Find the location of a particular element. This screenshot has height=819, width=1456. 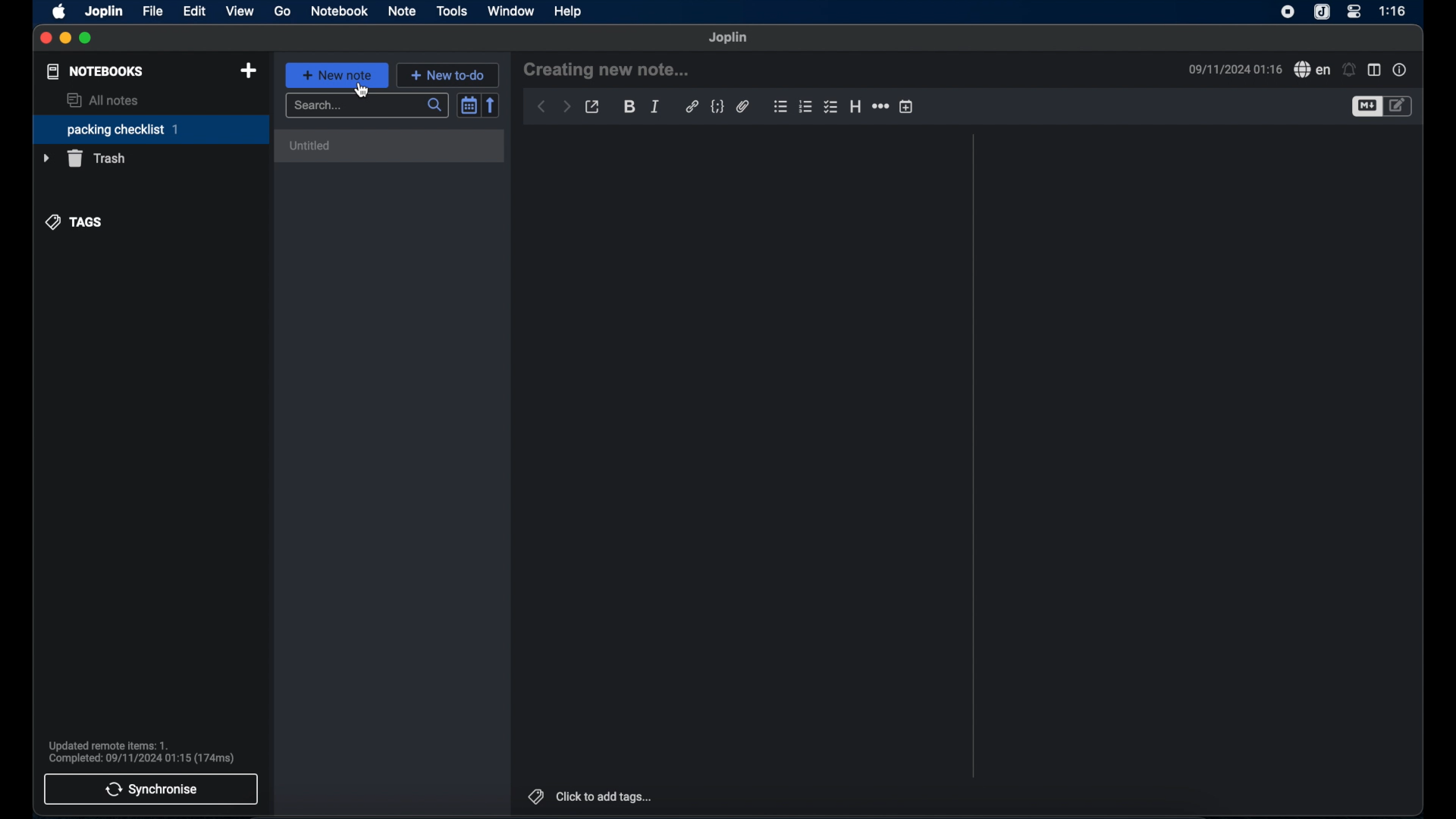

09/11/2024 01:16 is located at coordinates (1231, 69).